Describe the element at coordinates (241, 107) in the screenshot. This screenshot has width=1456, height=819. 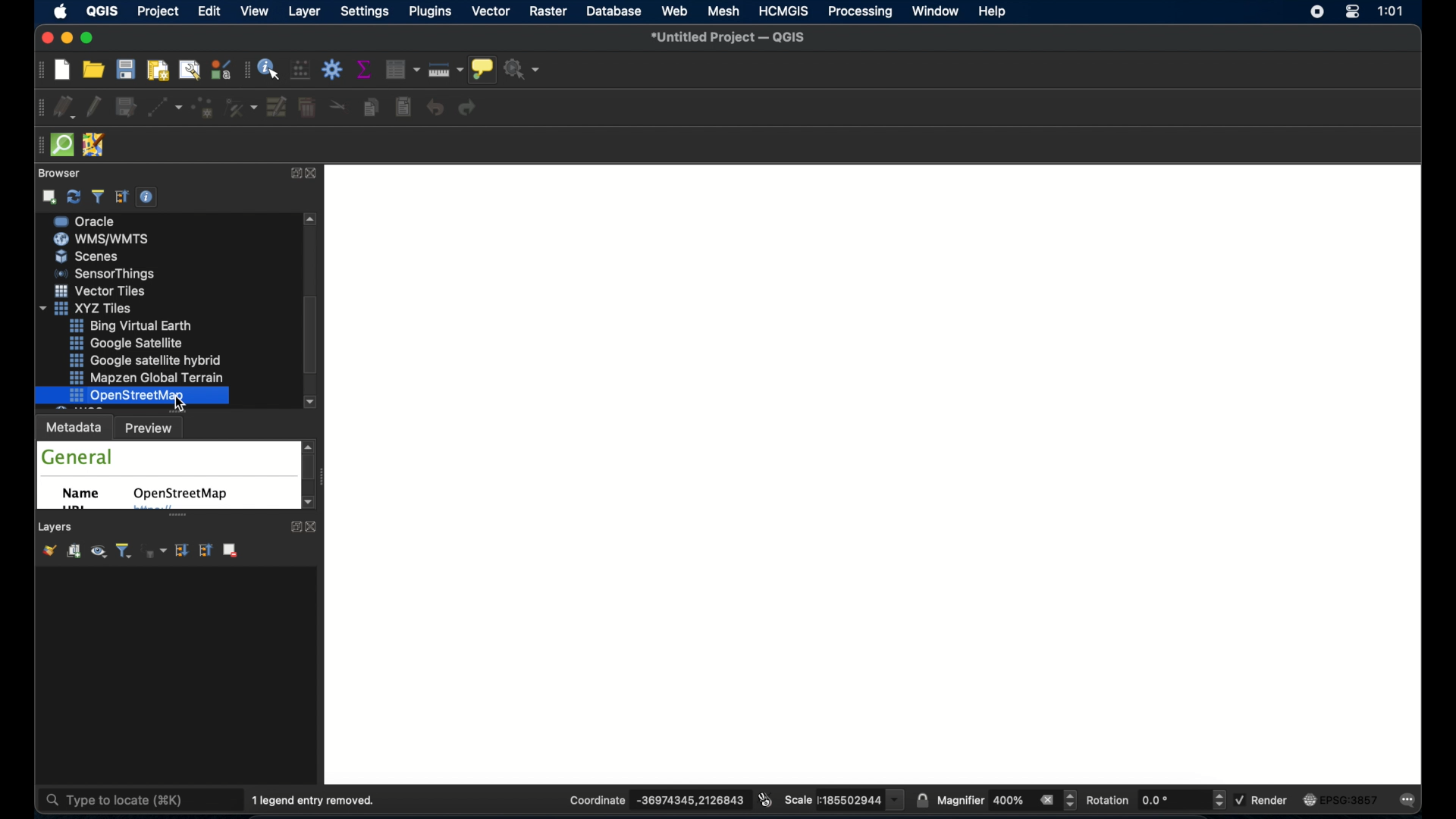
I see `vertex tool` at that location.